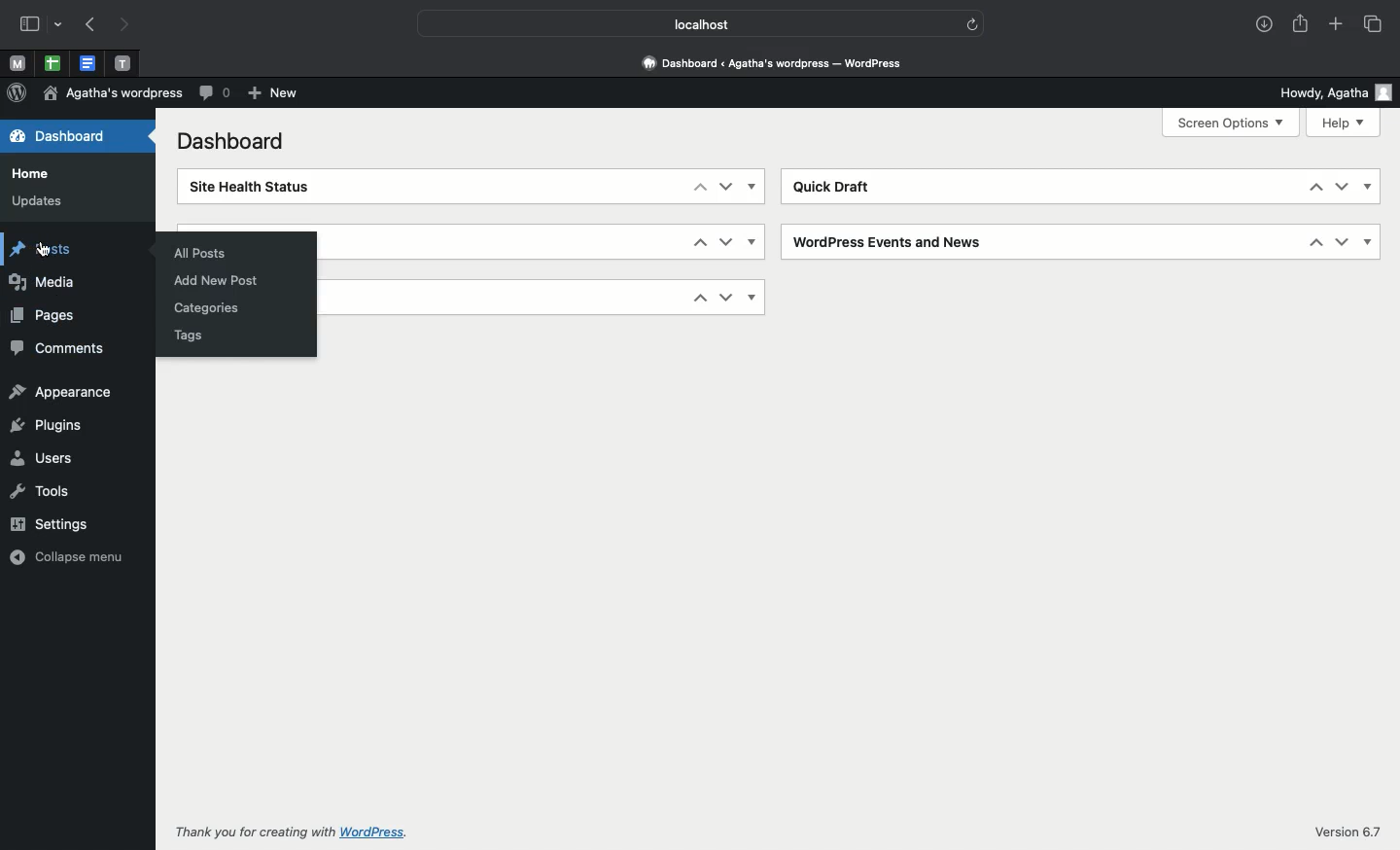 The image size is (1400, 850). I want to click on Show, so click(1368, 189).